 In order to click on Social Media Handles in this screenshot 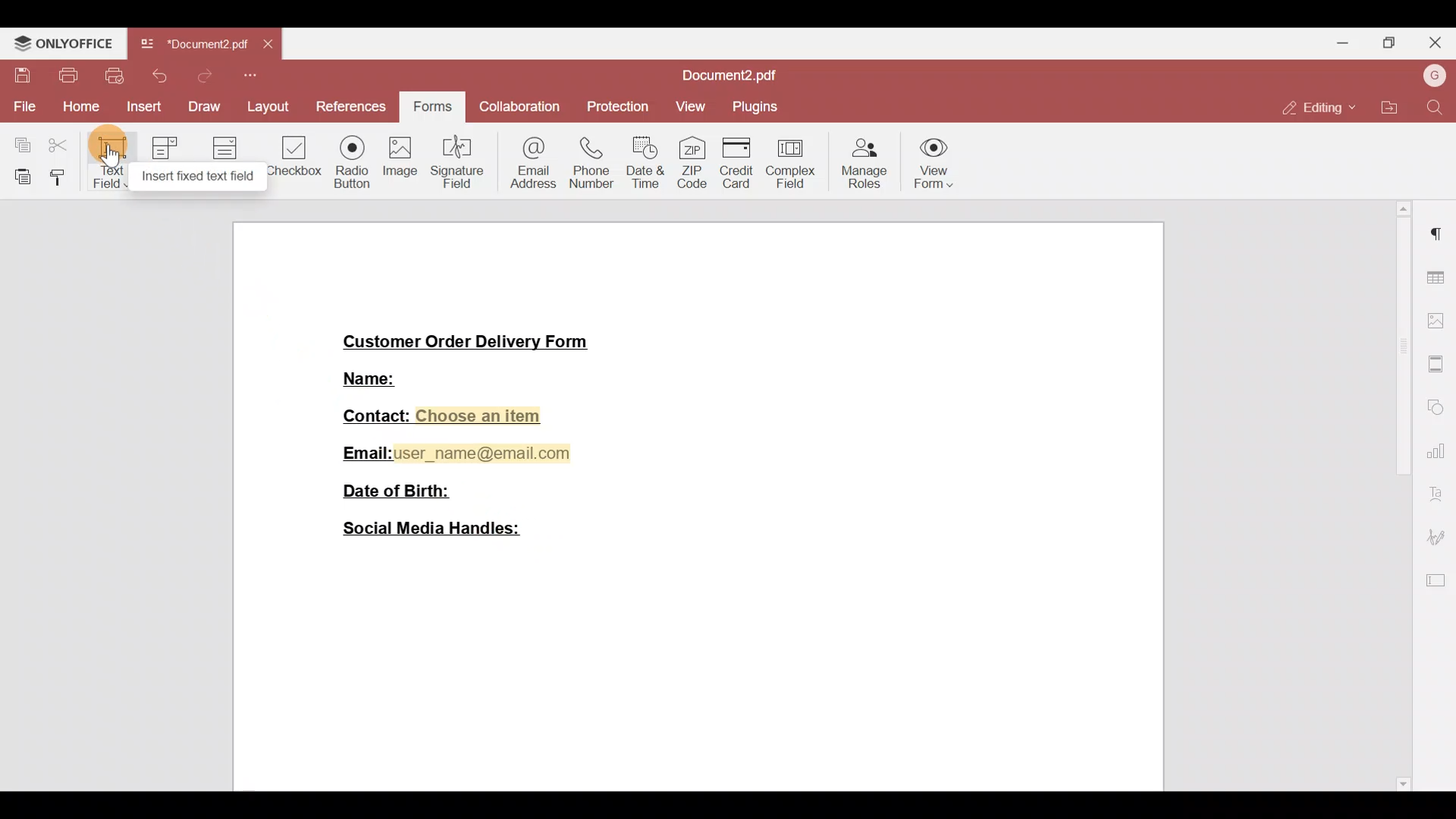, I will do `click(431, 533)`.